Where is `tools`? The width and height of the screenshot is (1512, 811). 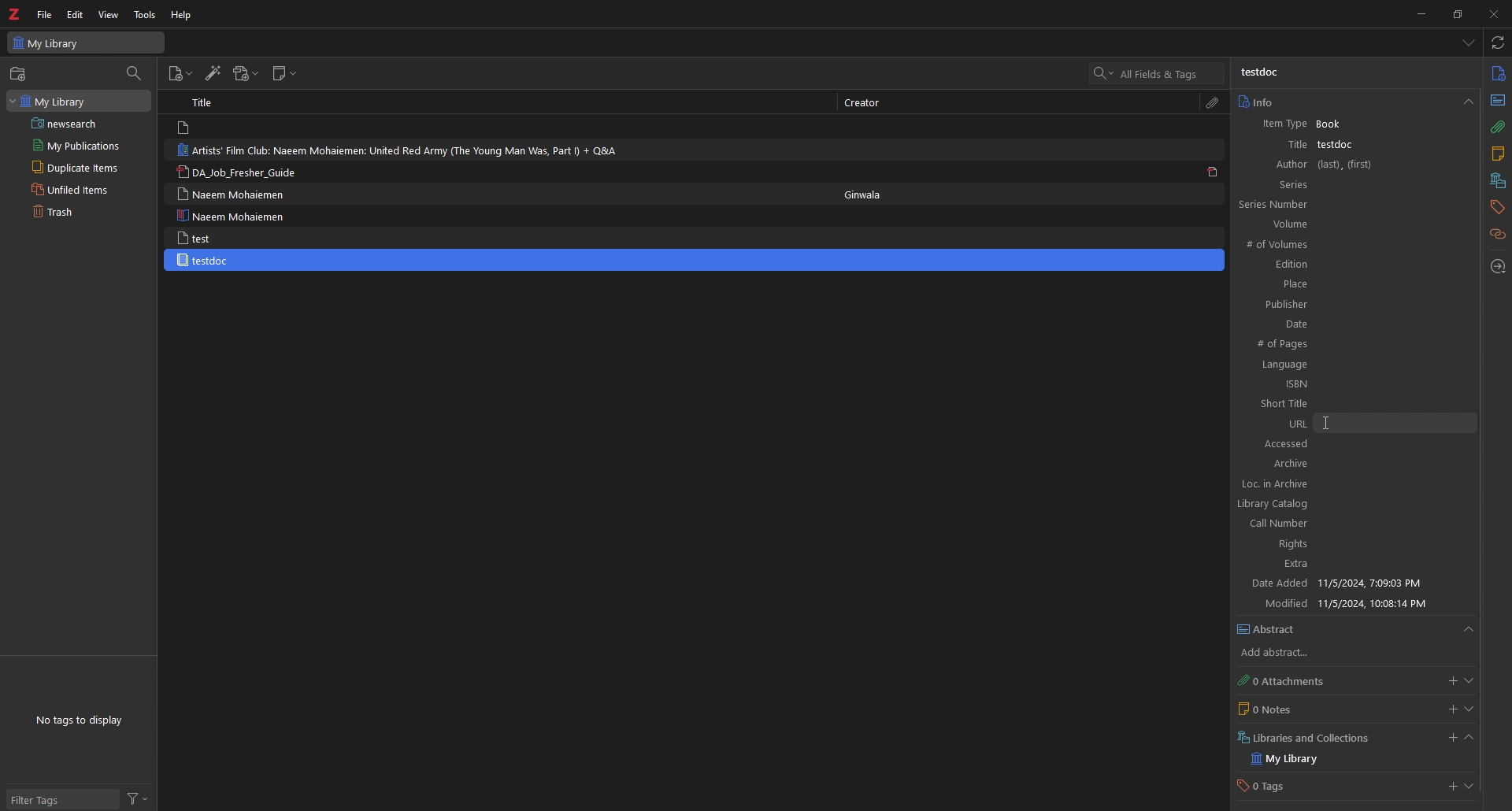 tools is located at coordinates (145, 16).